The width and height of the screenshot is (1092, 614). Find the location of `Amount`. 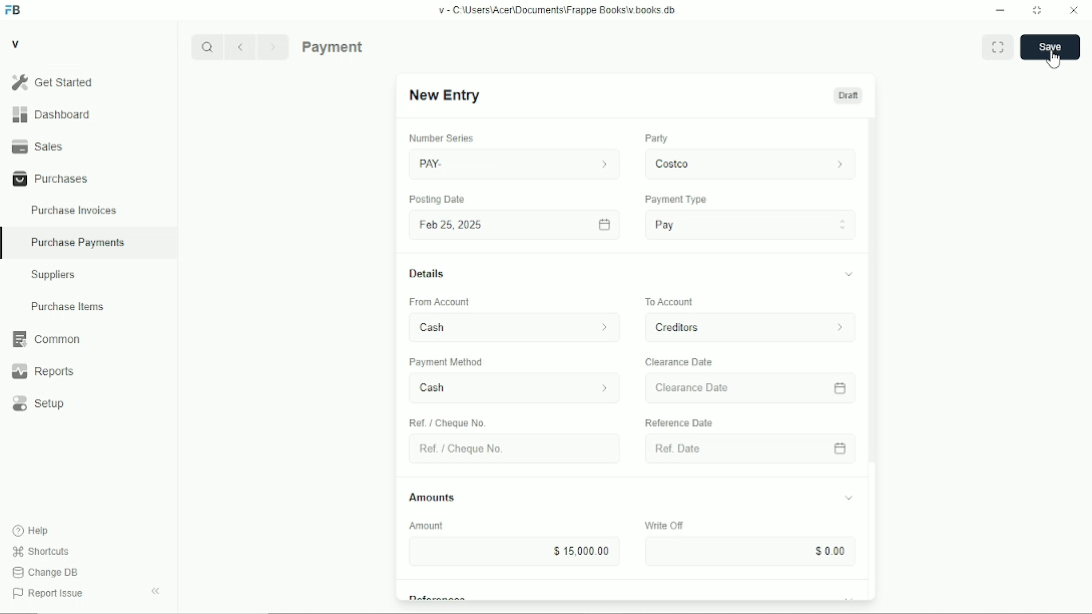

Amount is located at coordinates (435, 526).